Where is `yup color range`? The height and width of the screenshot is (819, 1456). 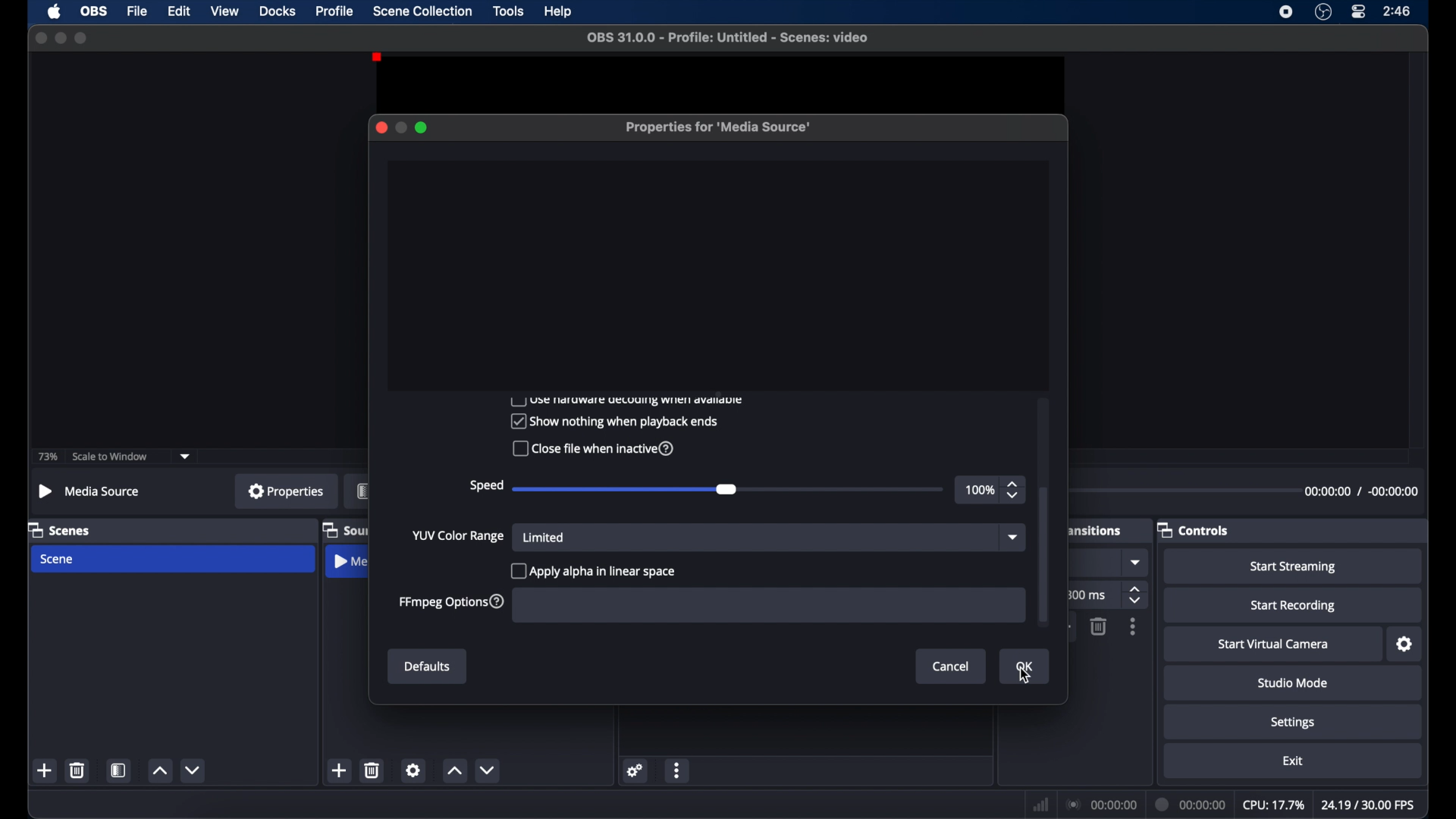
yup color range is located at coordinates (459, 535).